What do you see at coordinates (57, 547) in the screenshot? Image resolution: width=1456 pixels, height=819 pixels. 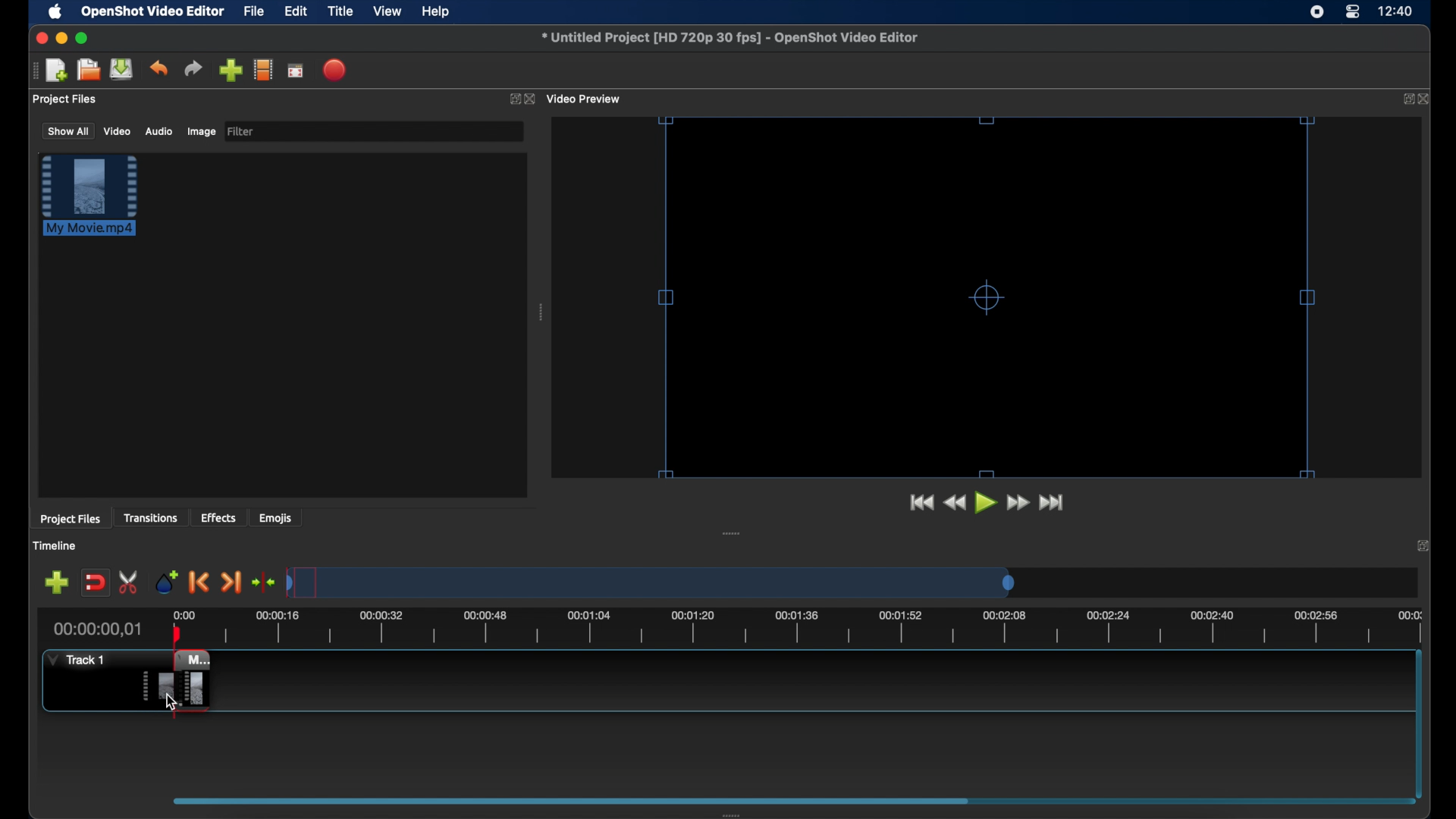 I see `timeline` at bounding box center [57, 547].